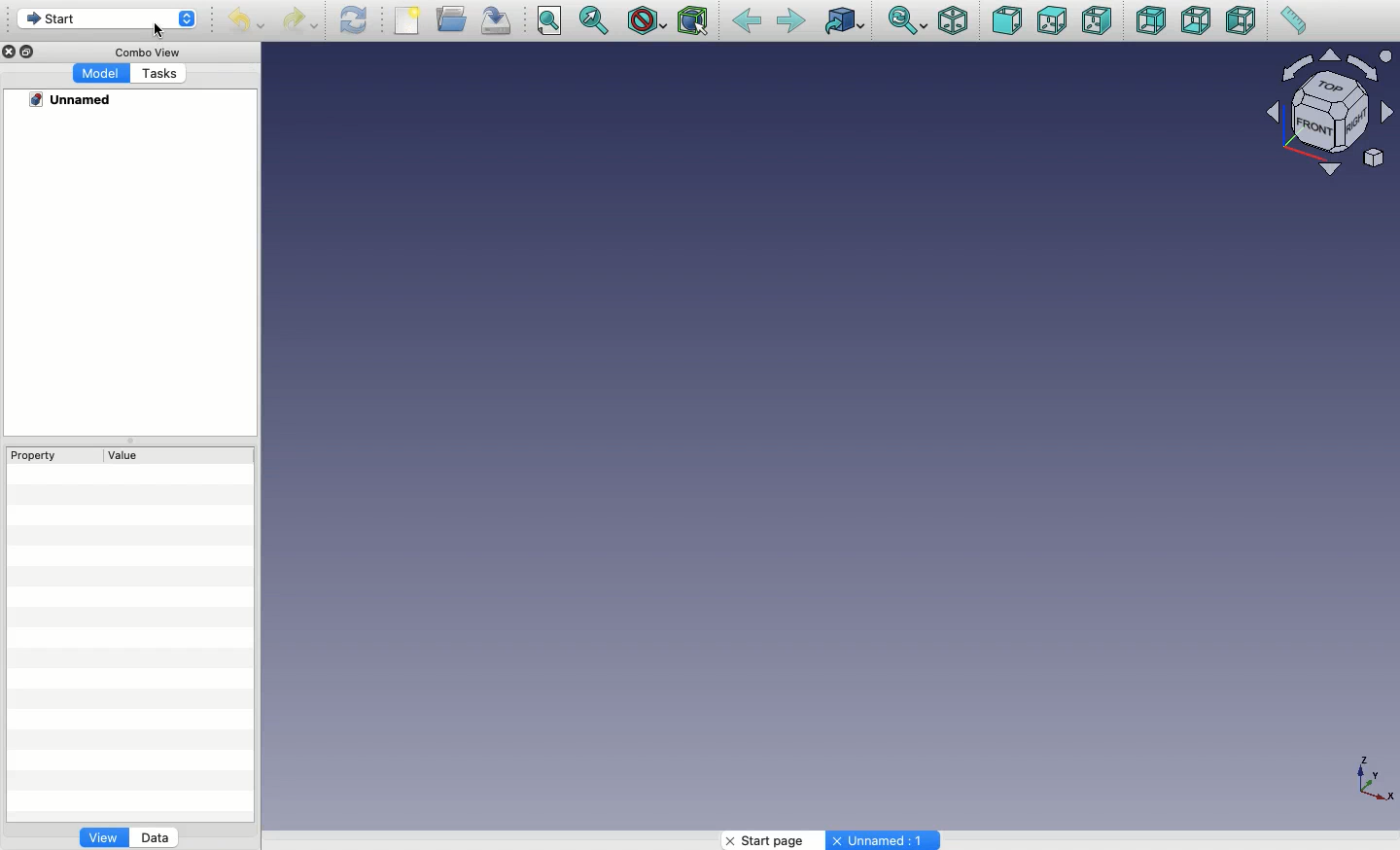 This screenshot has width=1400, height=850. Describe the element at coordinates (746, 22) in the screenshot. I see `Back` at that location.